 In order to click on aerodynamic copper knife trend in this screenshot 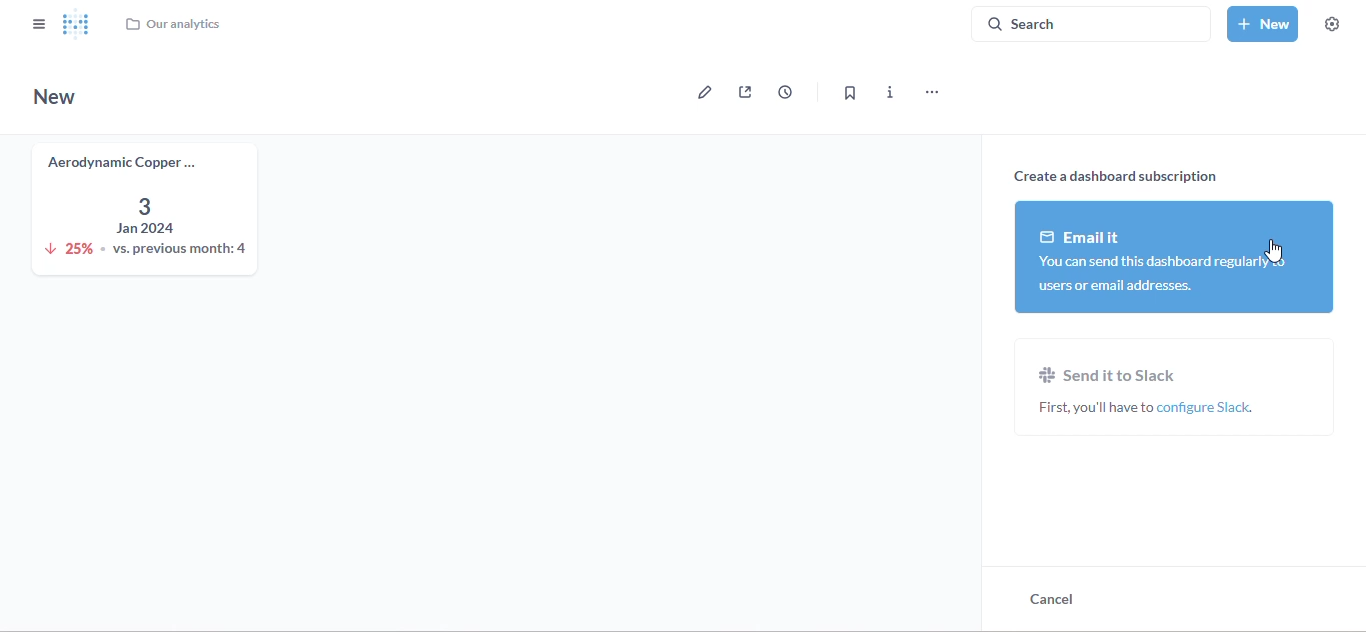, I will do `click(141, 207)`.